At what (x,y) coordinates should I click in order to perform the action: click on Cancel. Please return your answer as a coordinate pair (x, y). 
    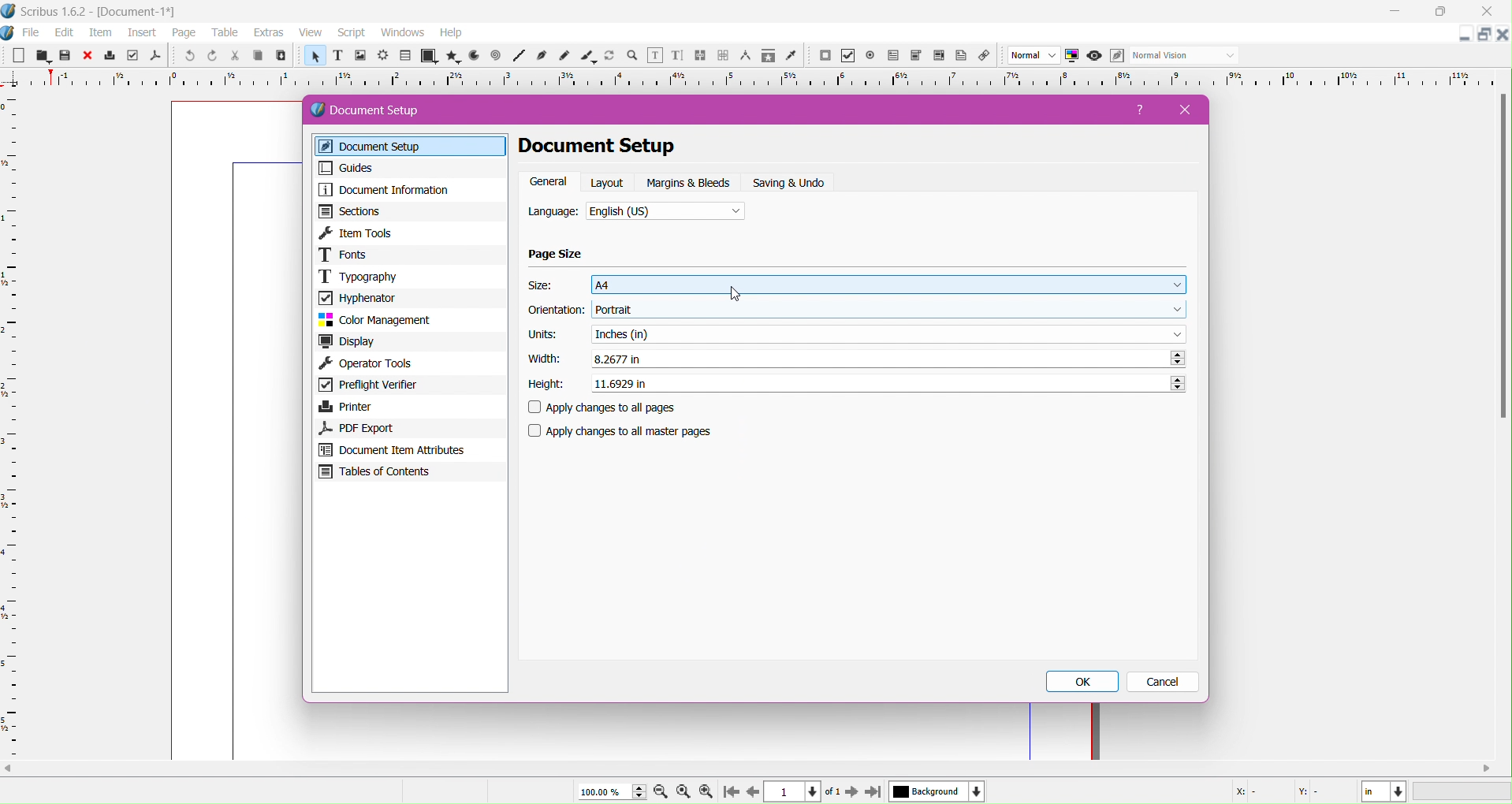
    Looking at the image, I should click on (1164, 683).